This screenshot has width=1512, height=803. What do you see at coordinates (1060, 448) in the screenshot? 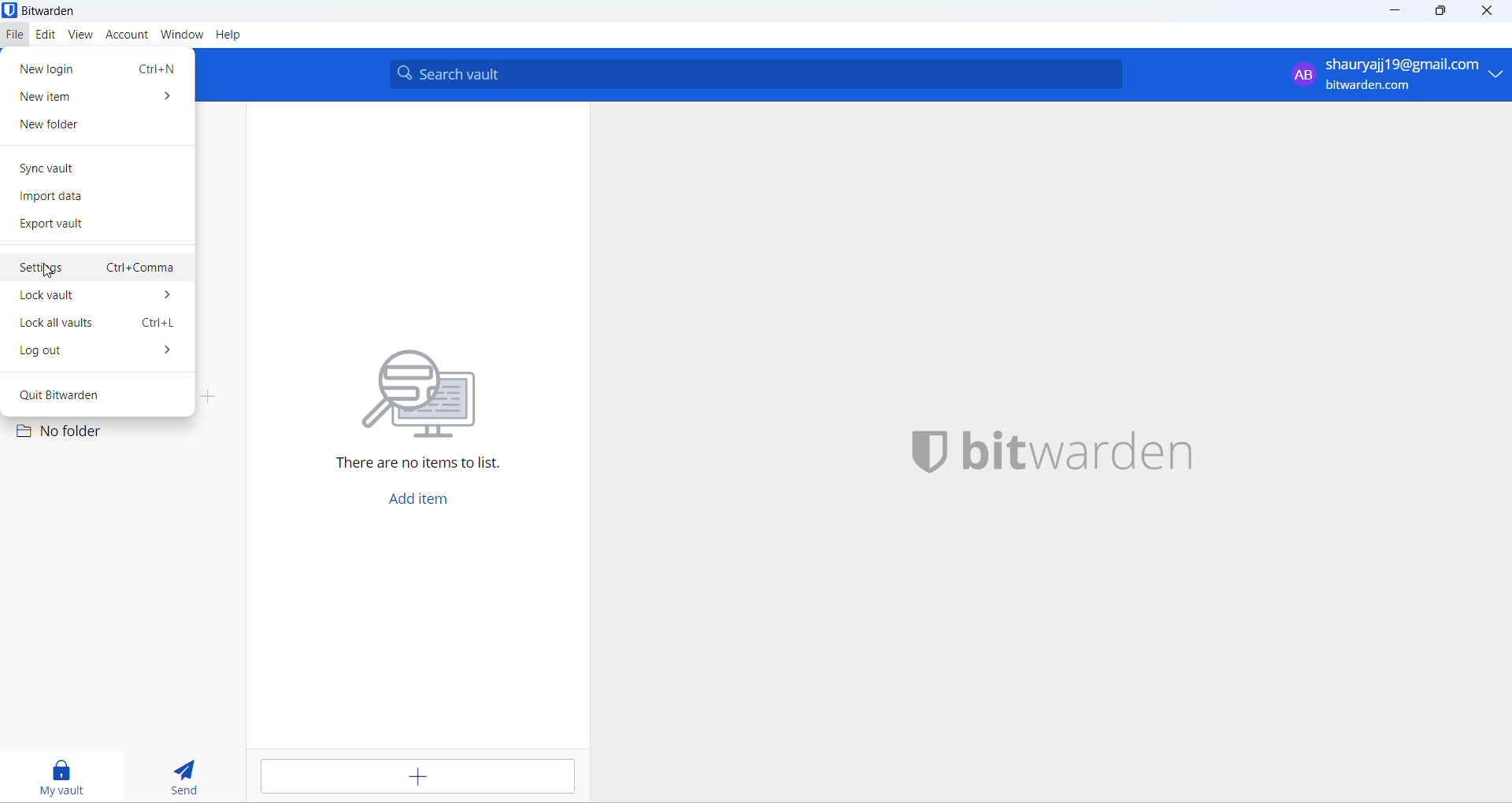
I see `name and logo` at bounding box center [1060, 448].